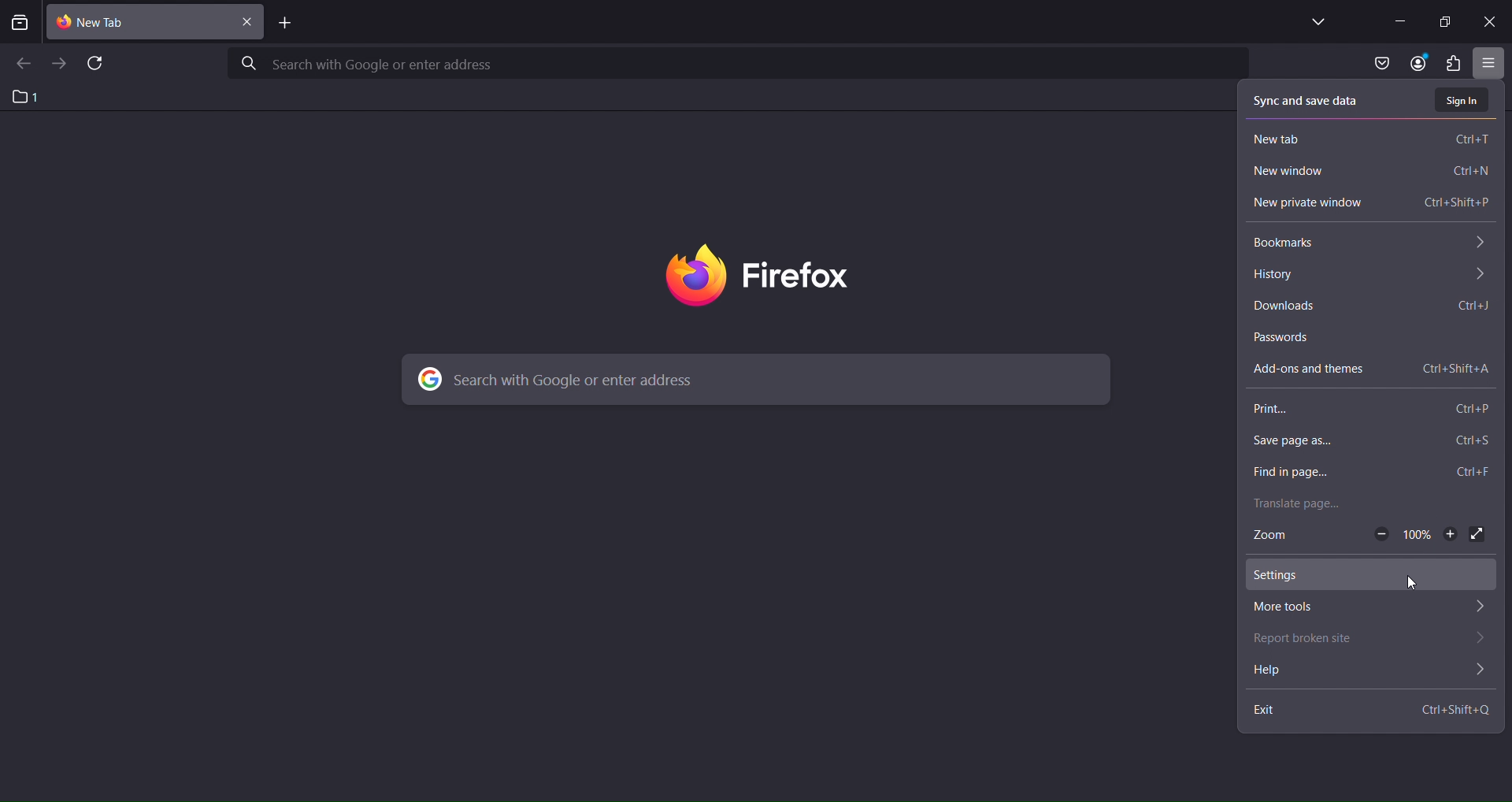  I want to click on settings, so click(1366, 574).